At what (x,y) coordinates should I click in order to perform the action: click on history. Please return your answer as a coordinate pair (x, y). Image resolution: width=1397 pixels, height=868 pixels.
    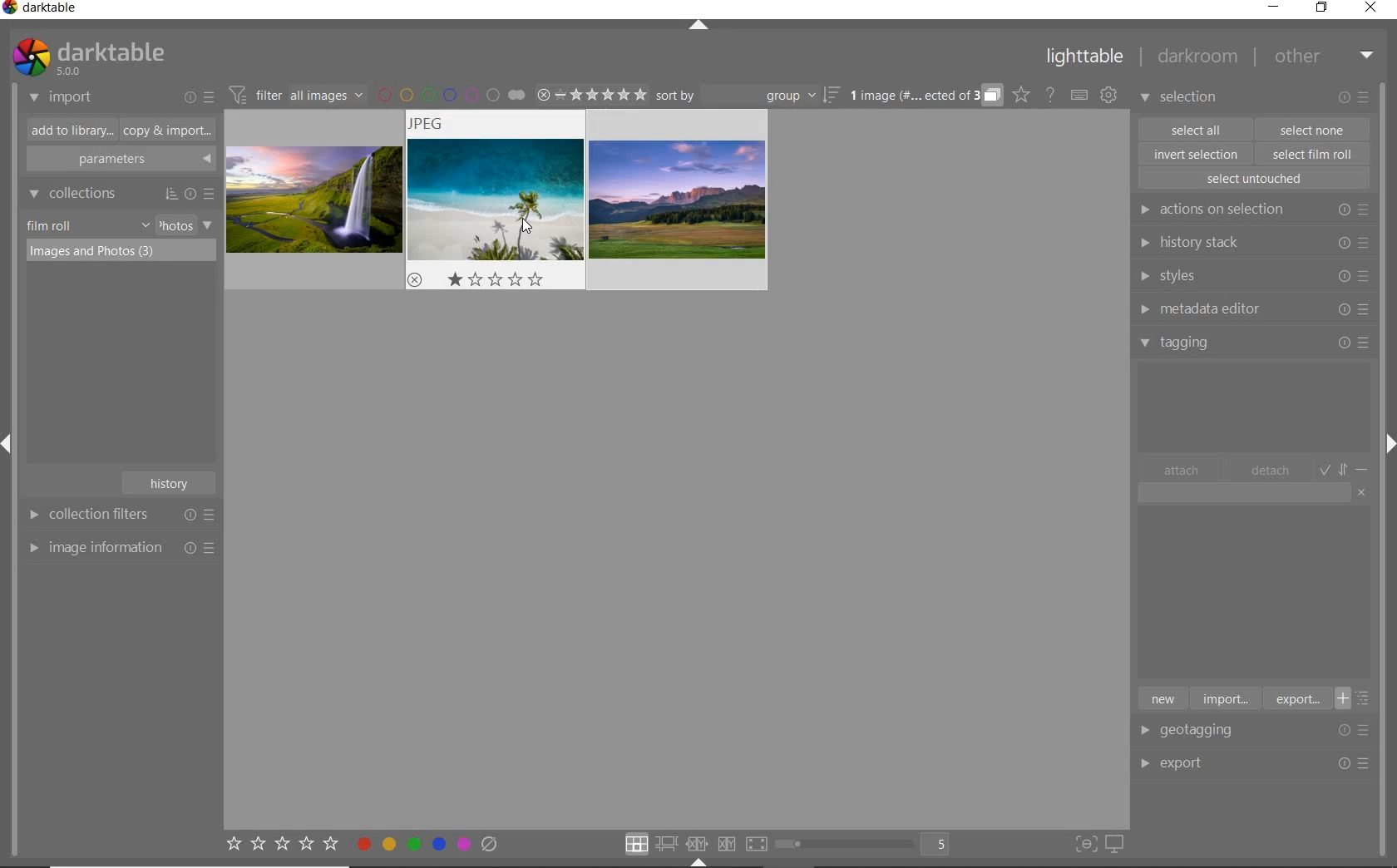
    Looking at the image, I should click on (171, 481).